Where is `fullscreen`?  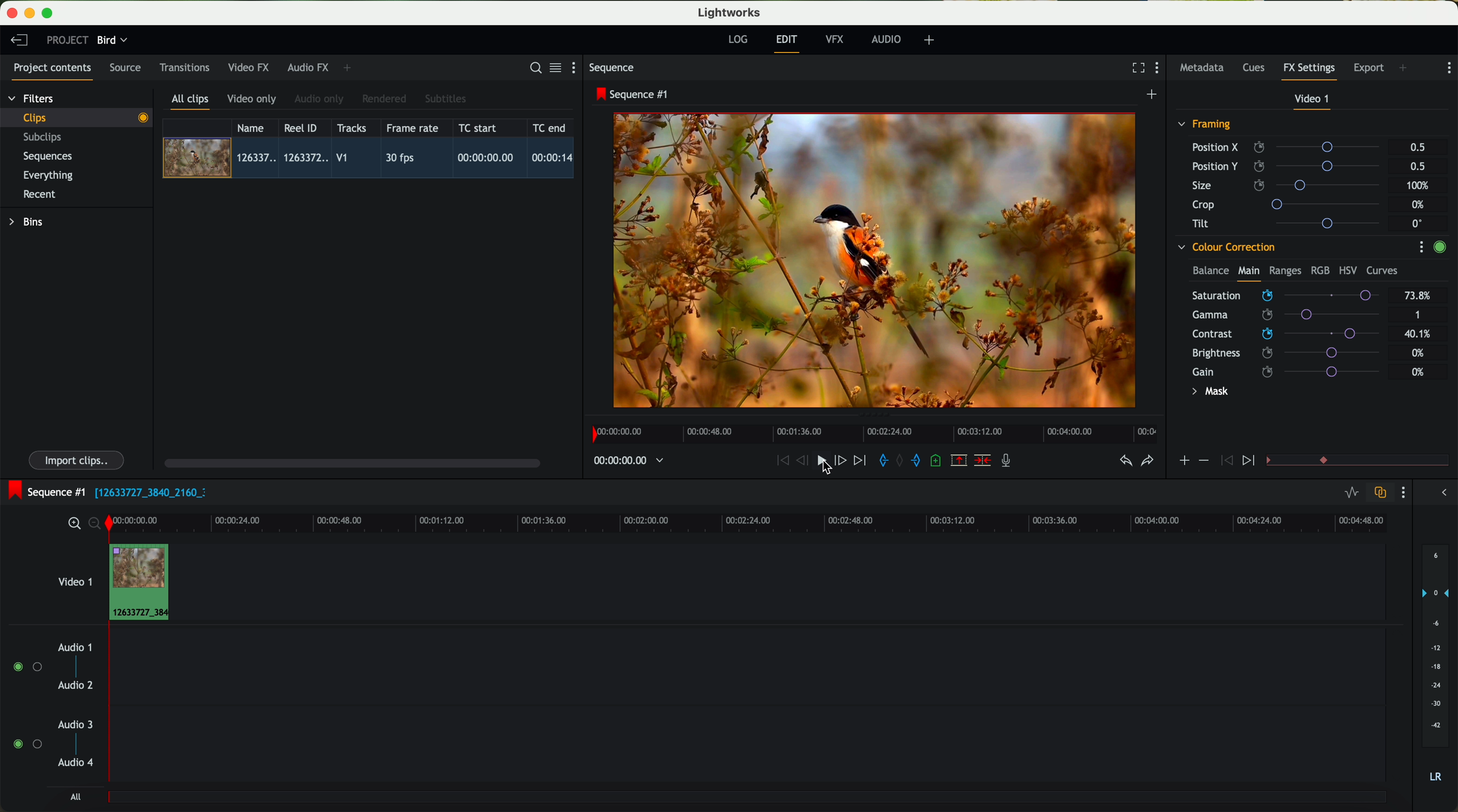
fullscreen is located at coordinates (1136, 67).